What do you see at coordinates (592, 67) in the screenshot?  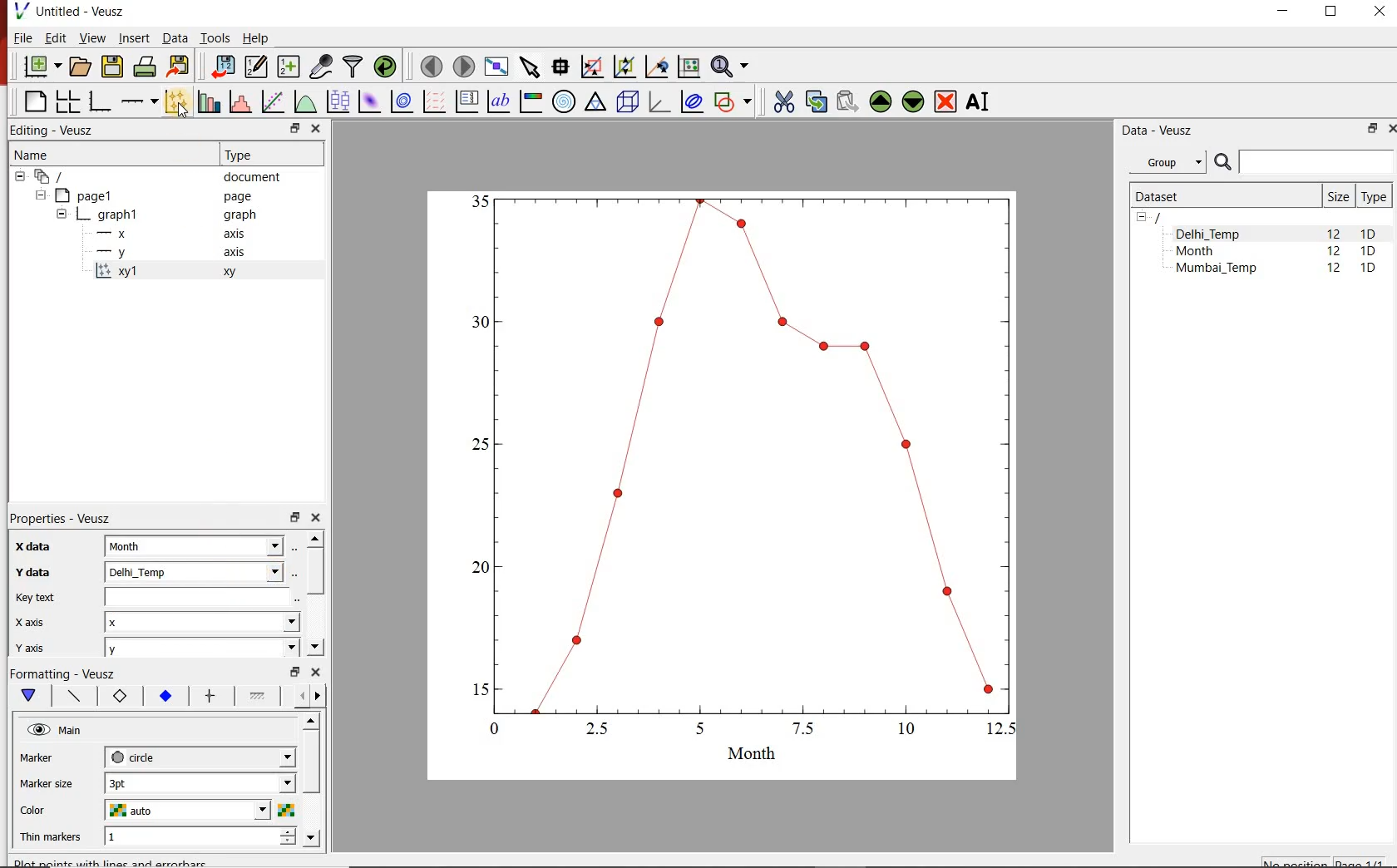 I see `click or draw a rectangle to zoom graph indexes` at bounding box center [592, 67].